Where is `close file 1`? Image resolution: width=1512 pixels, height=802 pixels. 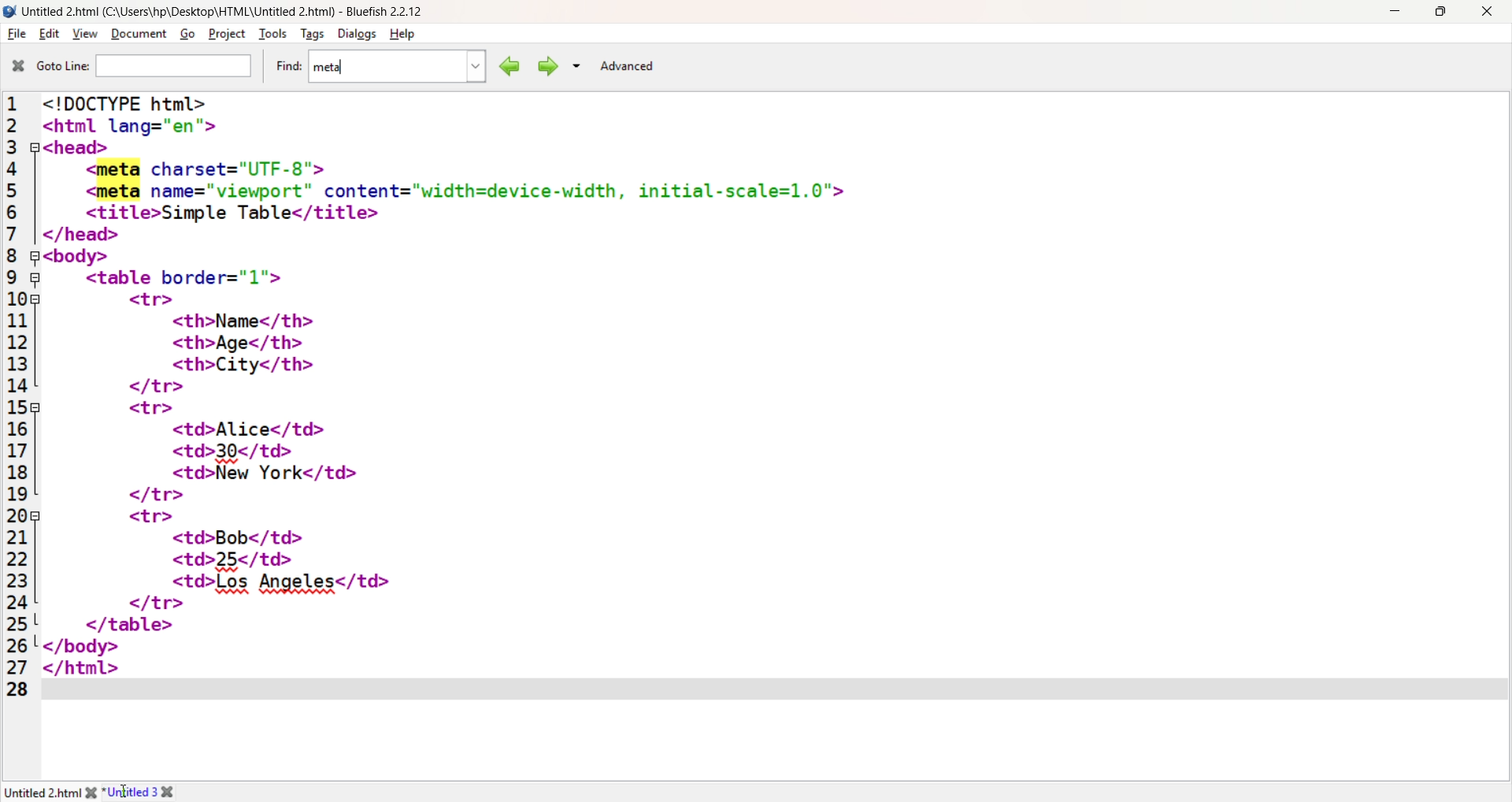
close file 1 is located at coordinates (89, 792).